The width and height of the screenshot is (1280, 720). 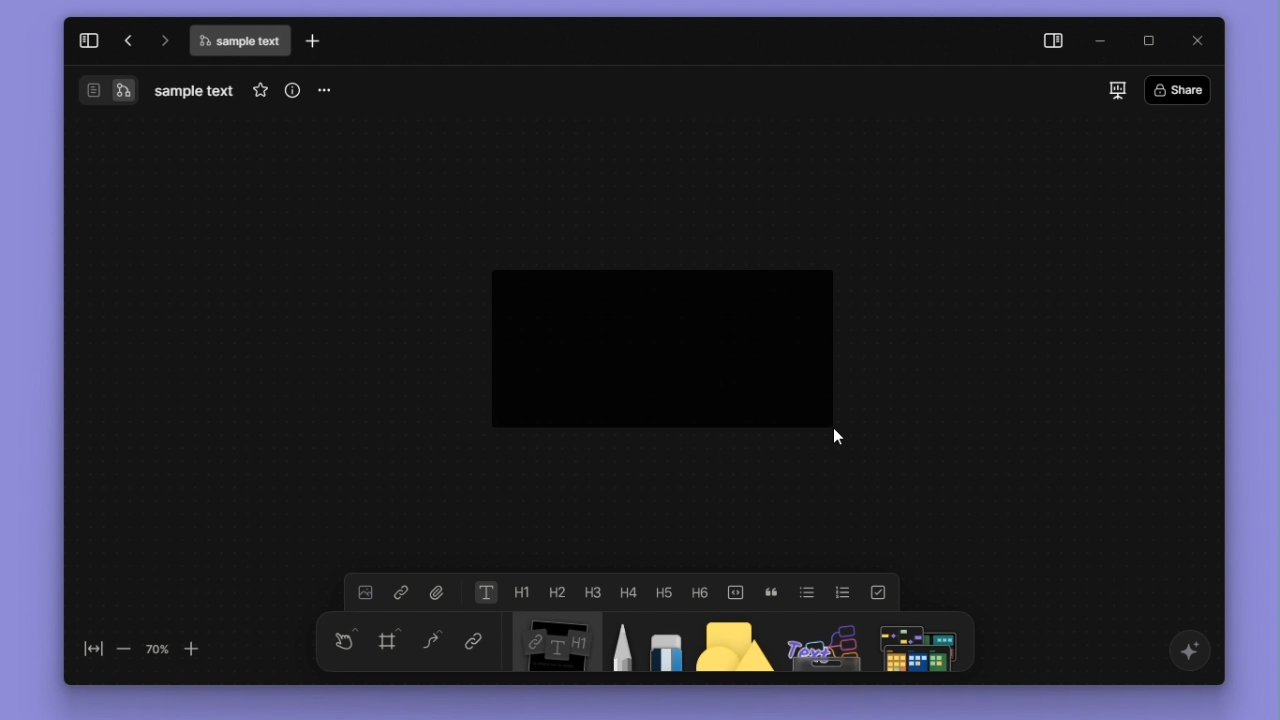 What do you see at coordinates (256, 90) in the screenshot?
I see `favourites` at bounding box center [256, 90].